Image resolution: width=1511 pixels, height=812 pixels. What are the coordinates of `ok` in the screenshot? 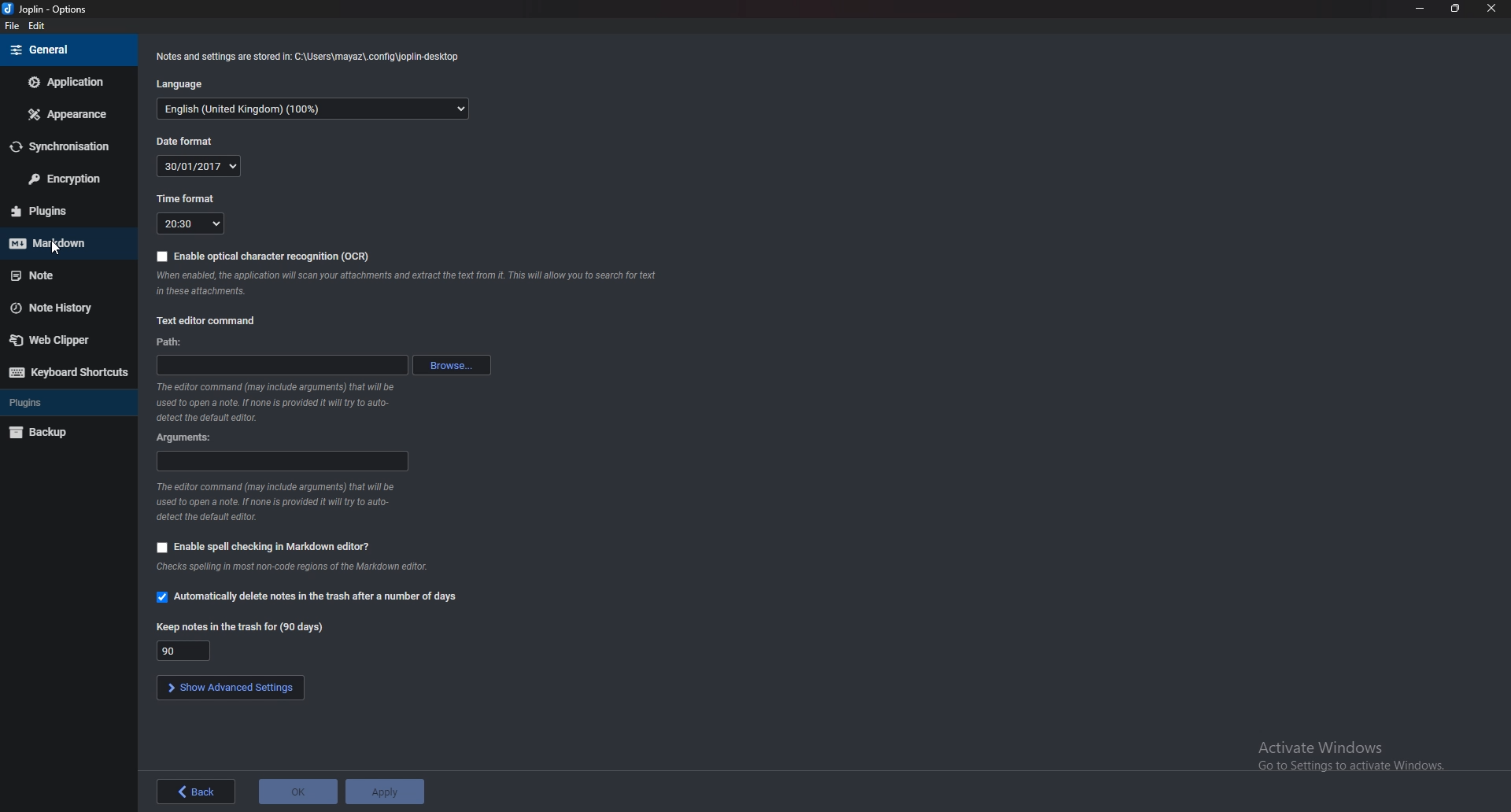 It's located at (300, 792).